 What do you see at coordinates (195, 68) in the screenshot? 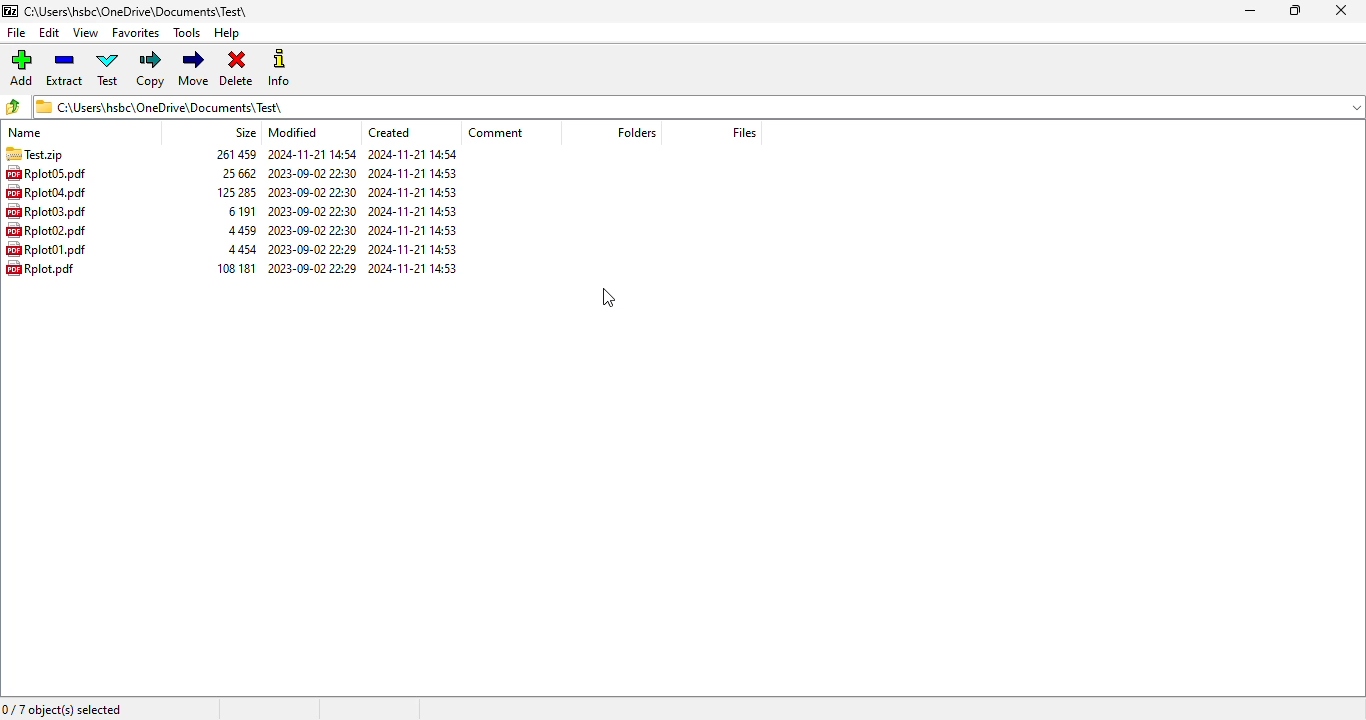
I see `move` at bounding box center [195, 68].